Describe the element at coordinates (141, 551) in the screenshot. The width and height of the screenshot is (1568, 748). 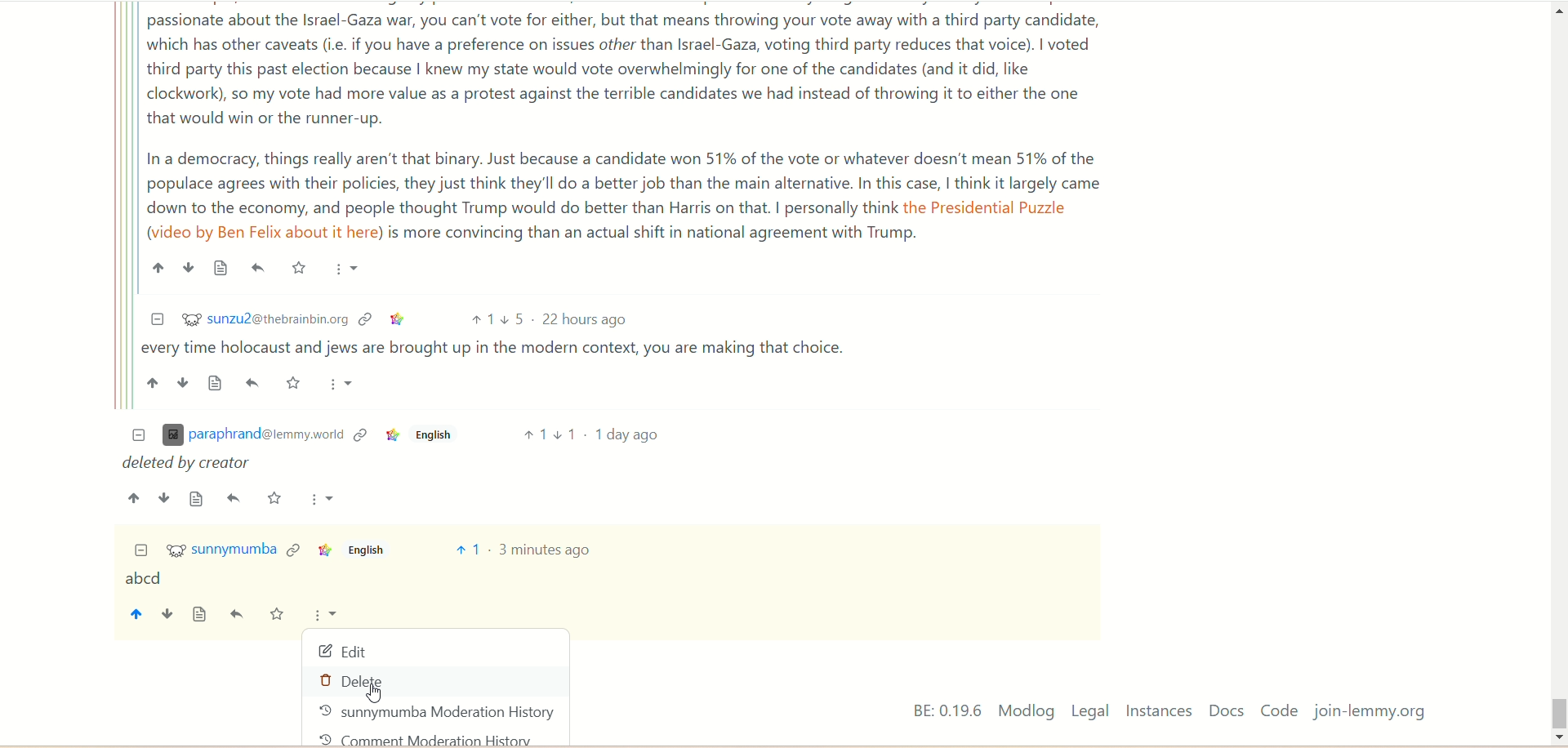
I see `Collapse` at that location.